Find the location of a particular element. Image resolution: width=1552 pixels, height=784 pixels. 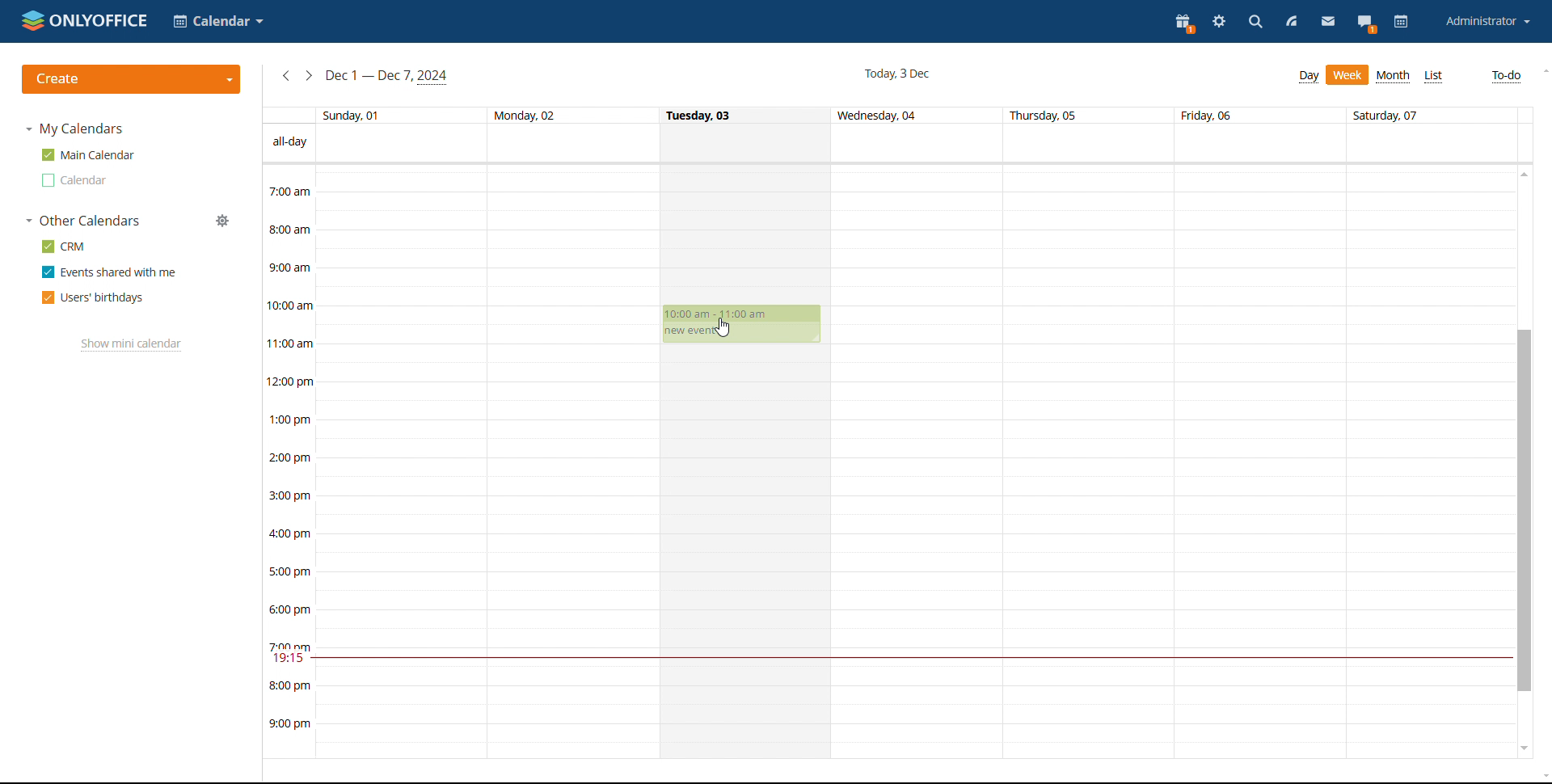

My Calendars is located at coordinates (76, 130).